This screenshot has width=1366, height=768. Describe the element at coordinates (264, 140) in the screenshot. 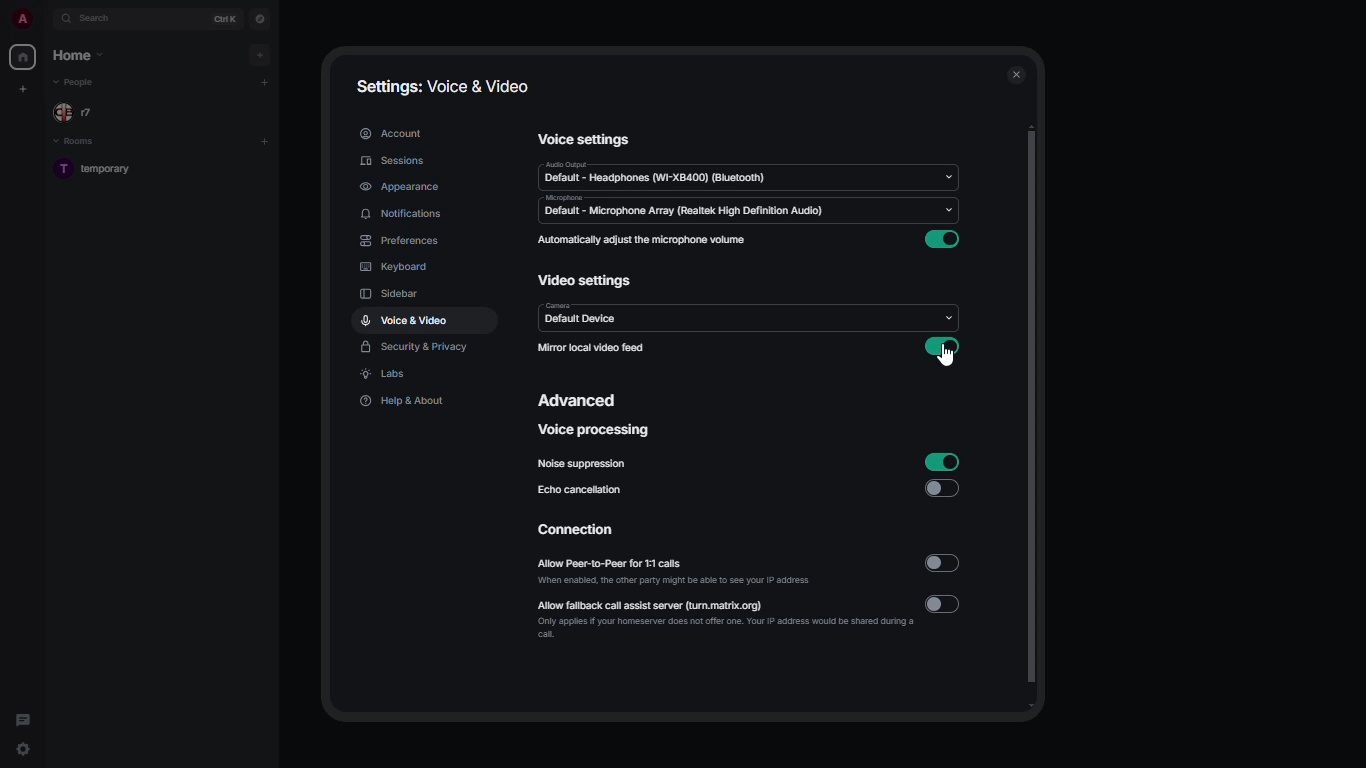

I see `add` at that location.